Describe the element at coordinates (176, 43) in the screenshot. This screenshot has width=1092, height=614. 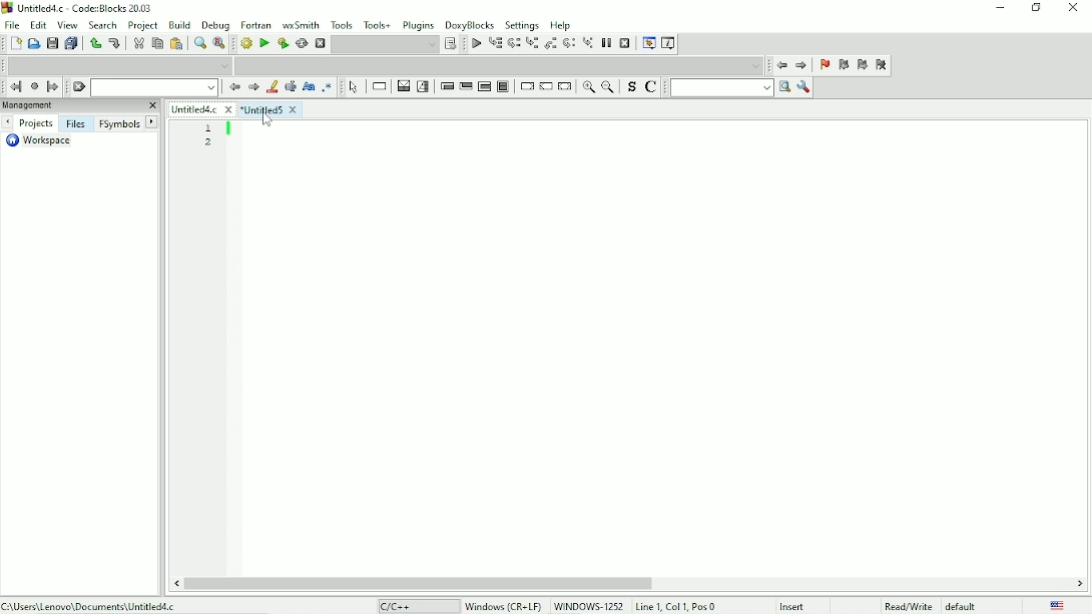
I see `Paste` at that location.